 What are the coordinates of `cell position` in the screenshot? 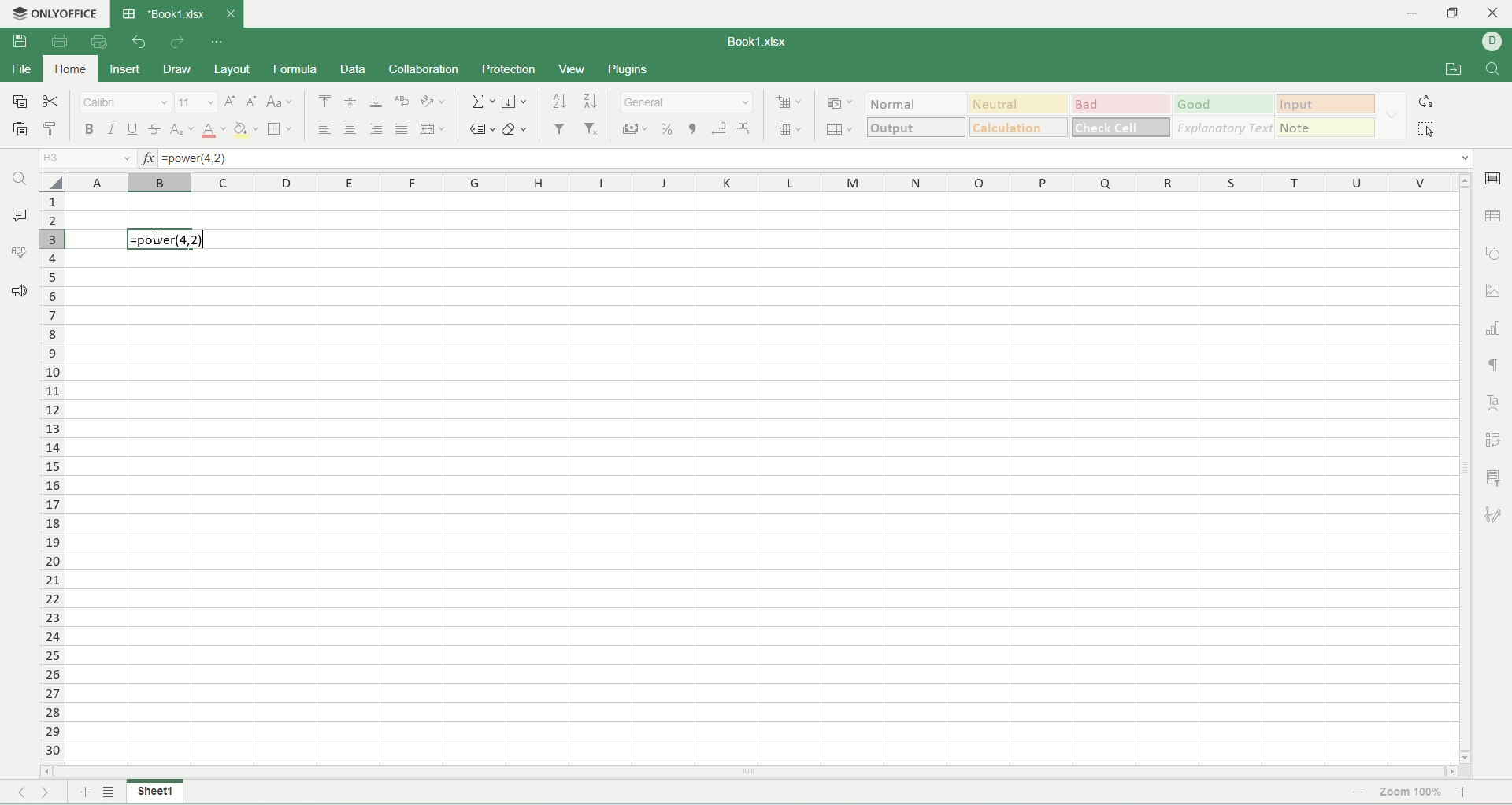 It's located at (86, 159).